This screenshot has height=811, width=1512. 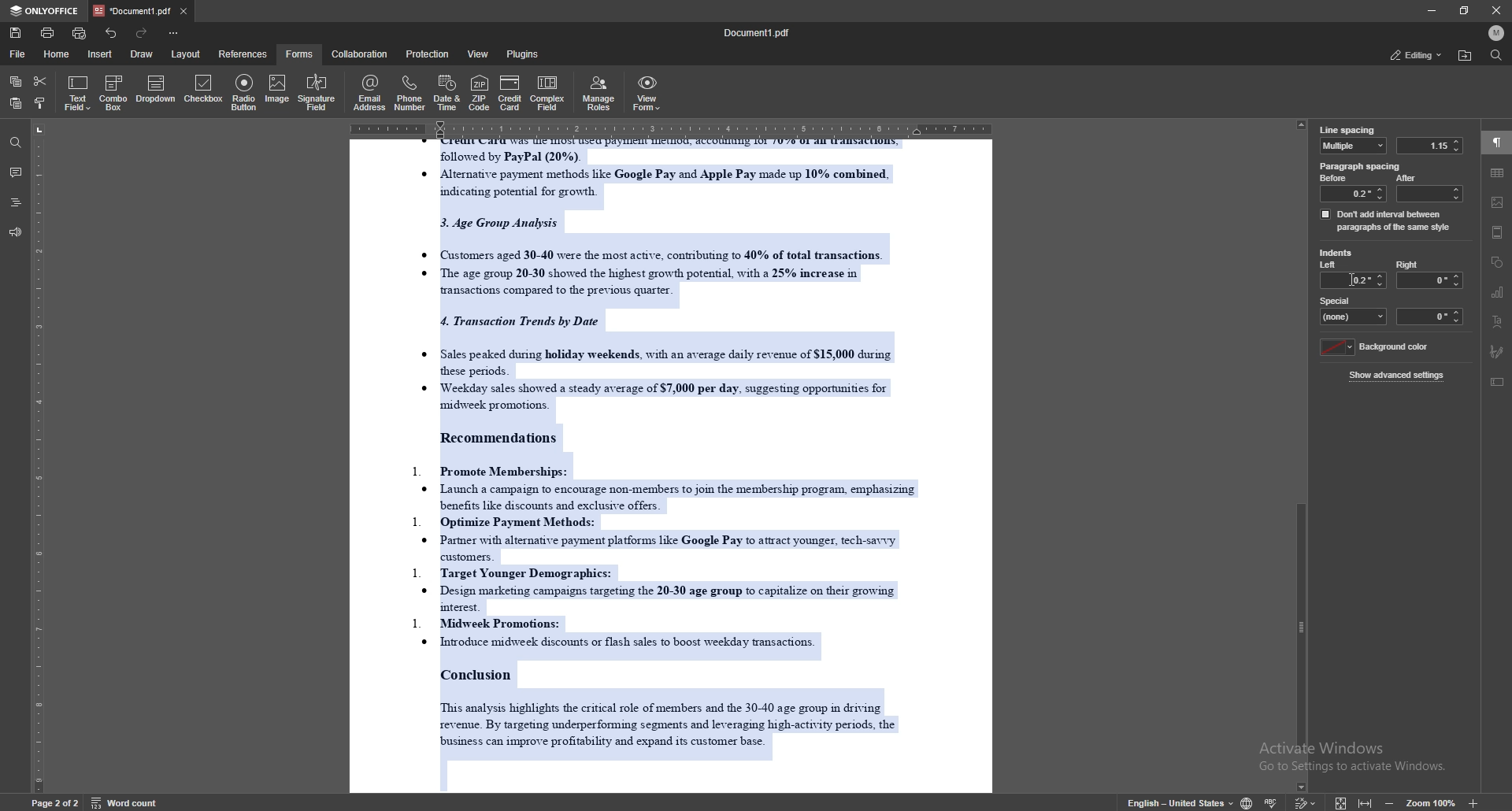 I want to click on close tab, so click(x=183, y=10).